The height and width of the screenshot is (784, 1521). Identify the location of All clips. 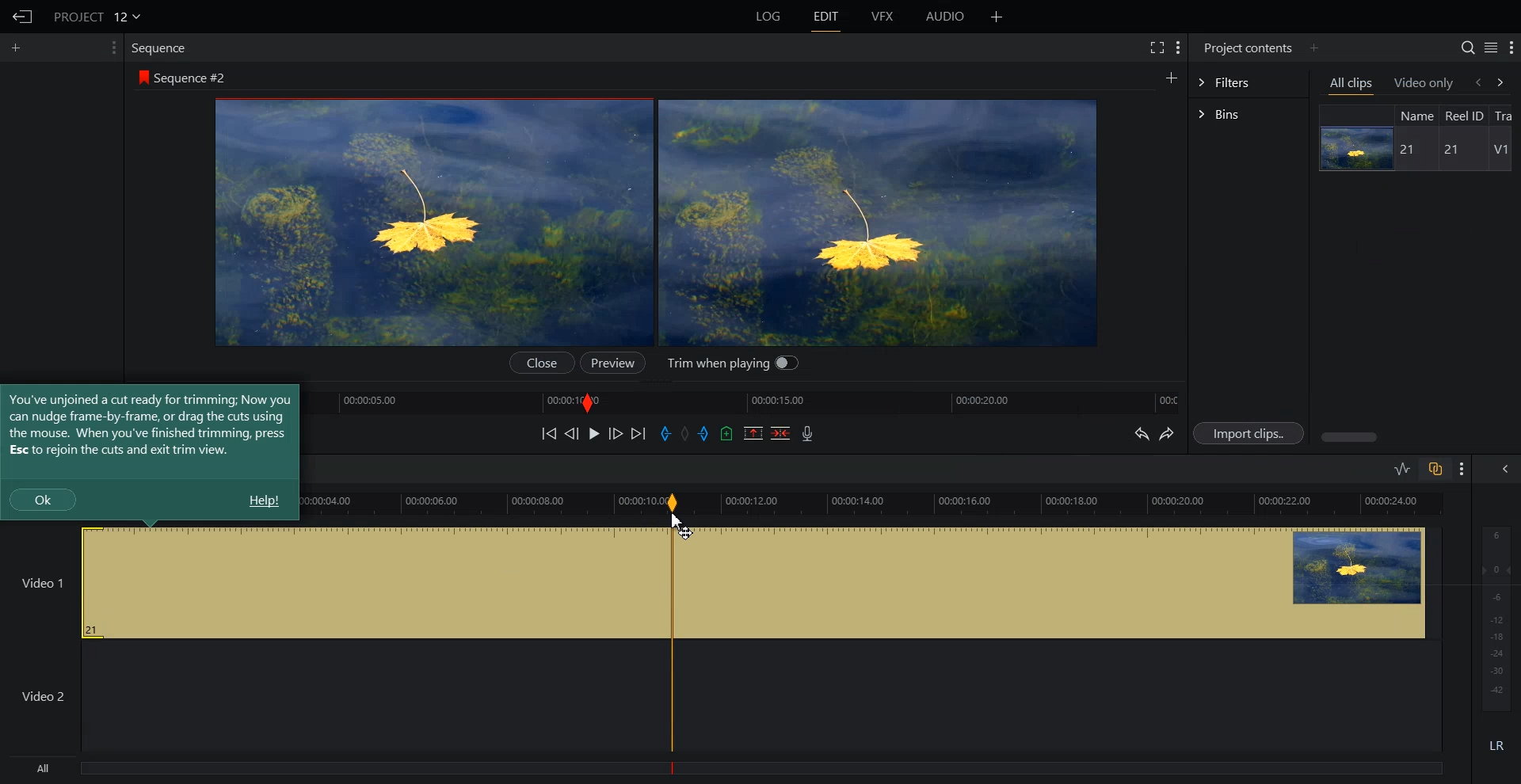
(1352, 84).